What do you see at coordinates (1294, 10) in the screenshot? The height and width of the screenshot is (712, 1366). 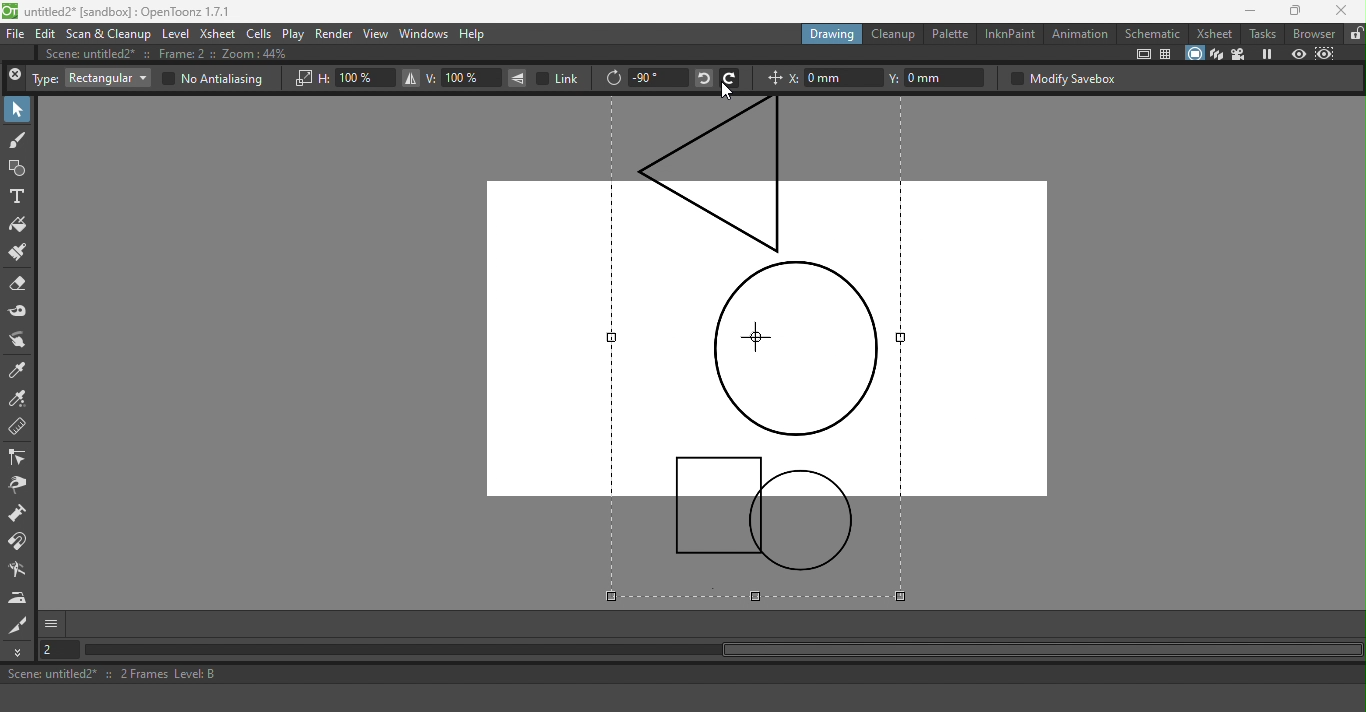 I see `Maximize` at bounding box center [1294, 10].